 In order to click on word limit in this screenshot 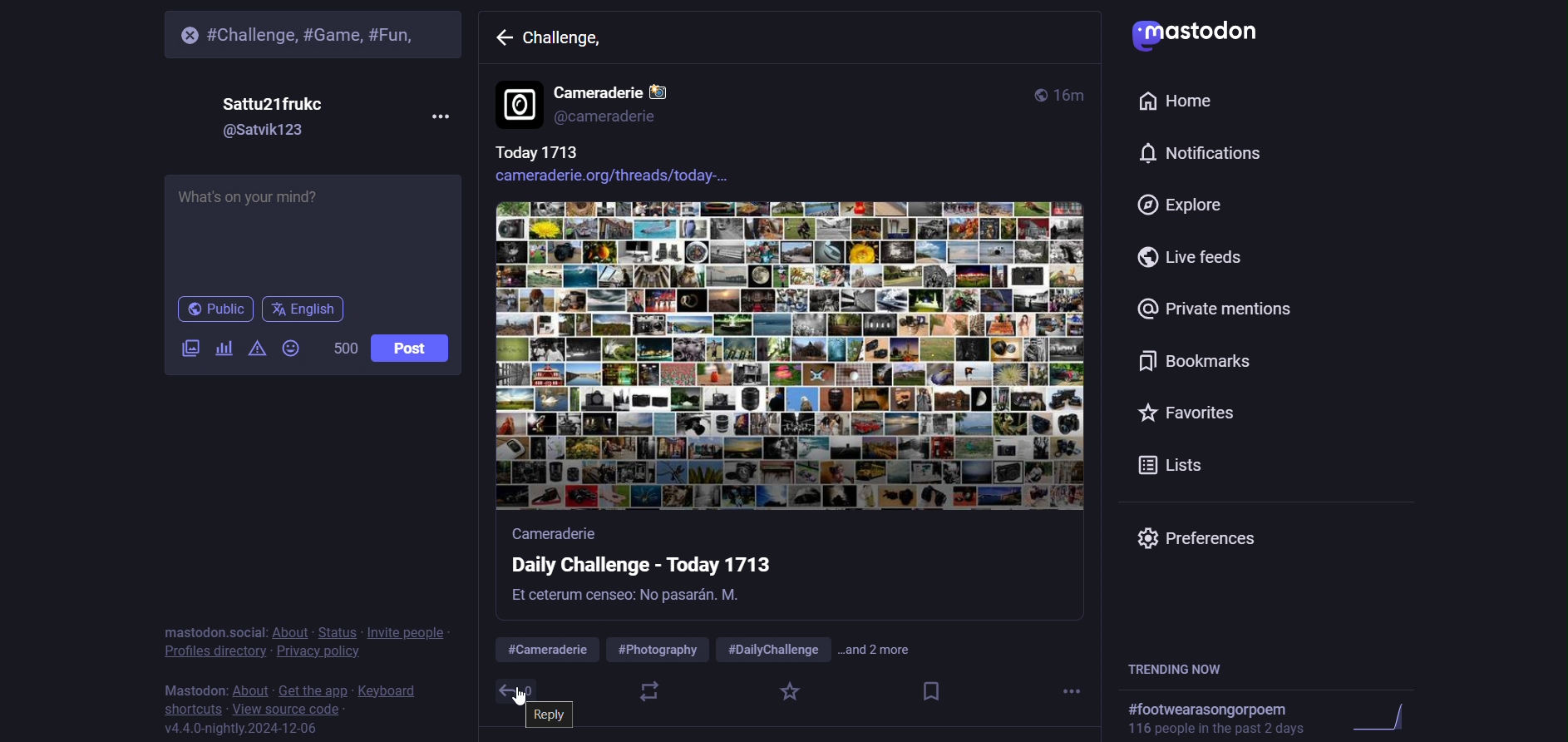, I will do `click(343, 349)`.